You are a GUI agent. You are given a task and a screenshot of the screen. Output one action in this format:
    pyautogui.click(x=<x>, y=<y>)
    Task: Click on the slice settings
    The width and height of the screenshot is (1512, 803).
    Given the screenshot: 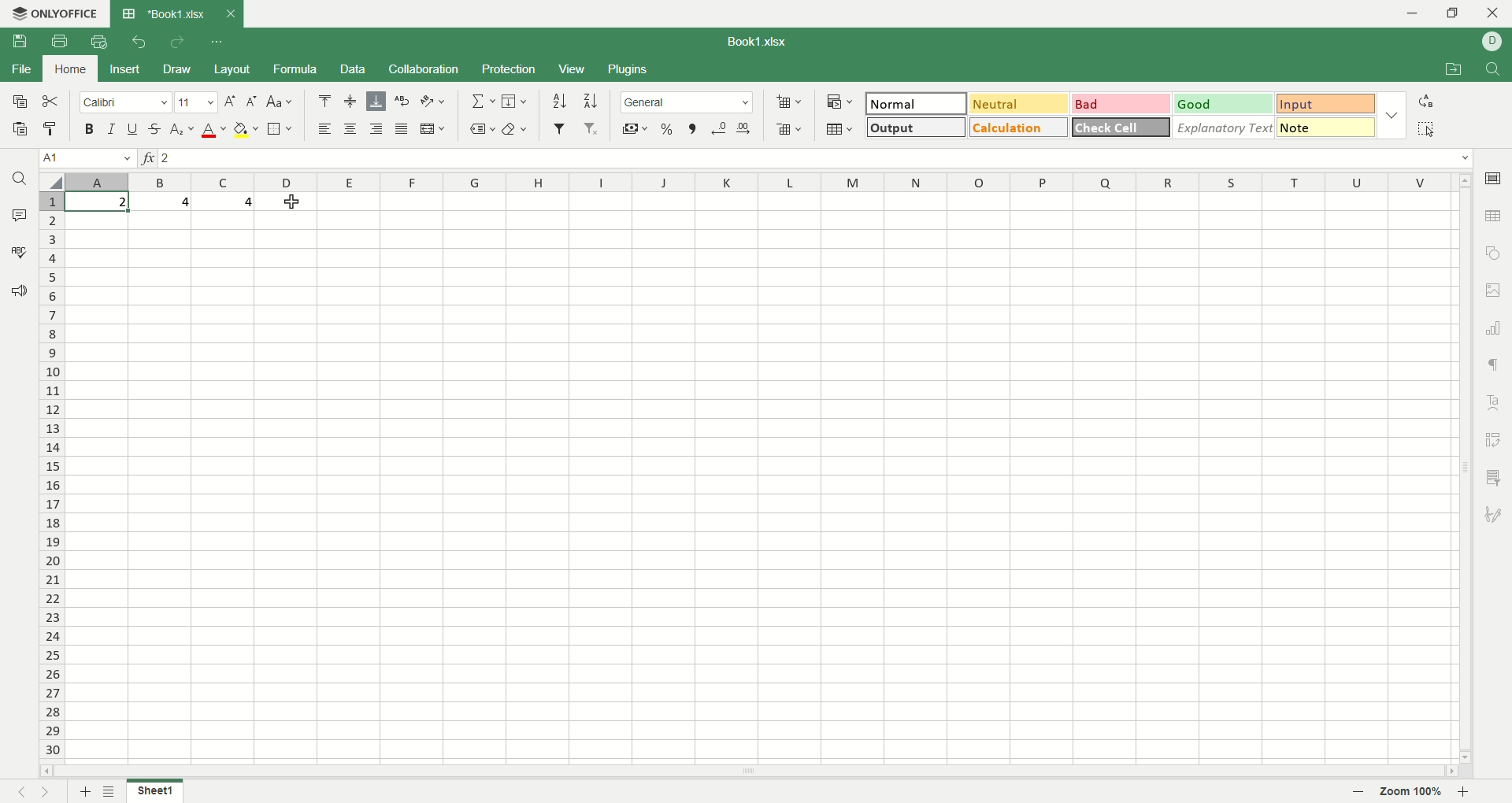 What is the action you would take?
    pyautogui.click(x=1494, y=481)
    